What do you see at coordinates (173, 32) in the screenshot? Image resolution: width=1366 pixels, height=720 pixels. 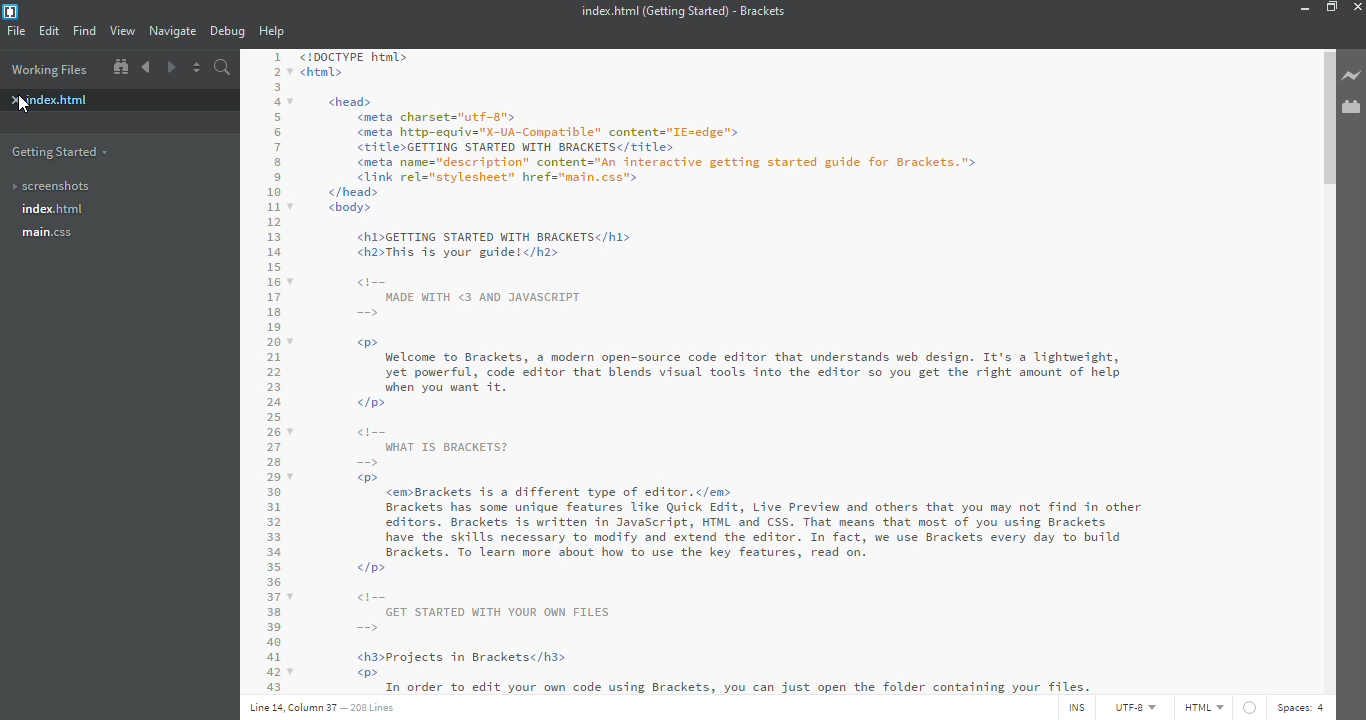 I see `navigate` at bounding box center [173, 32].